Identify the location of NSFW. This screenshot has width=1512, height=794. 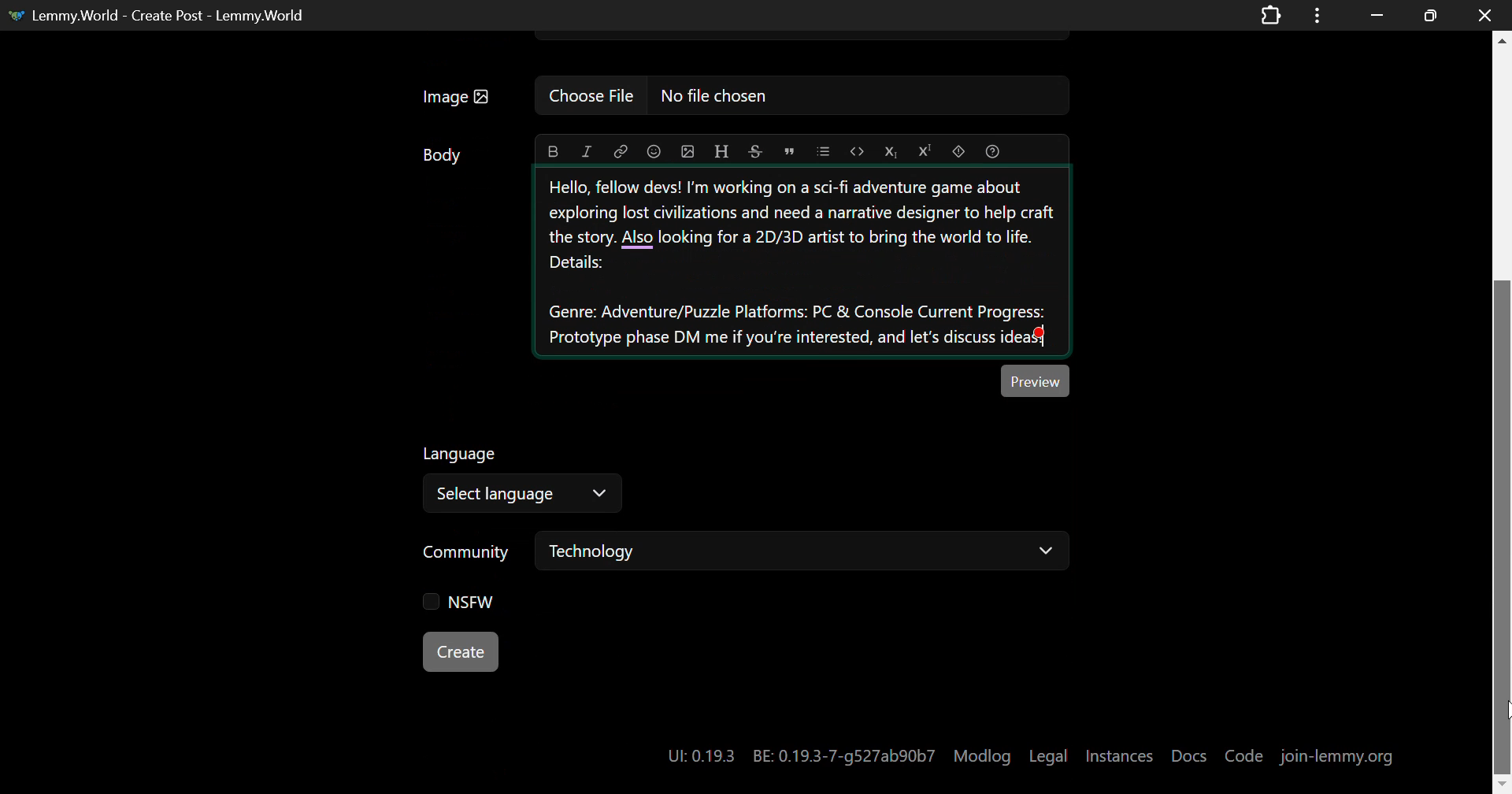
(452, 600).